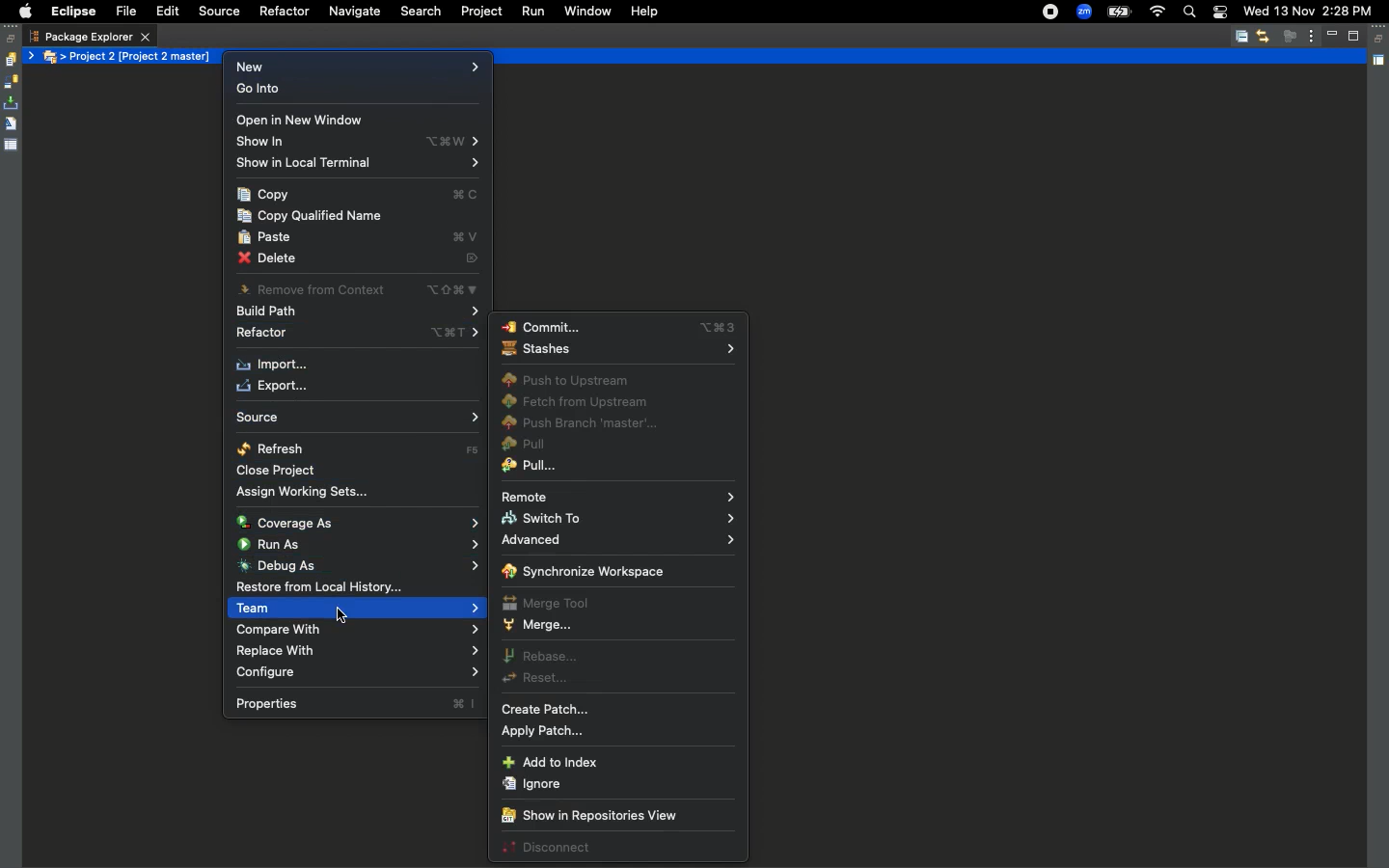 Image resolution: width=1389 pixels, height=868 pixels. Describe the element at coordinates (353, 13) in the screenshot. I see `Navigate` at that location.